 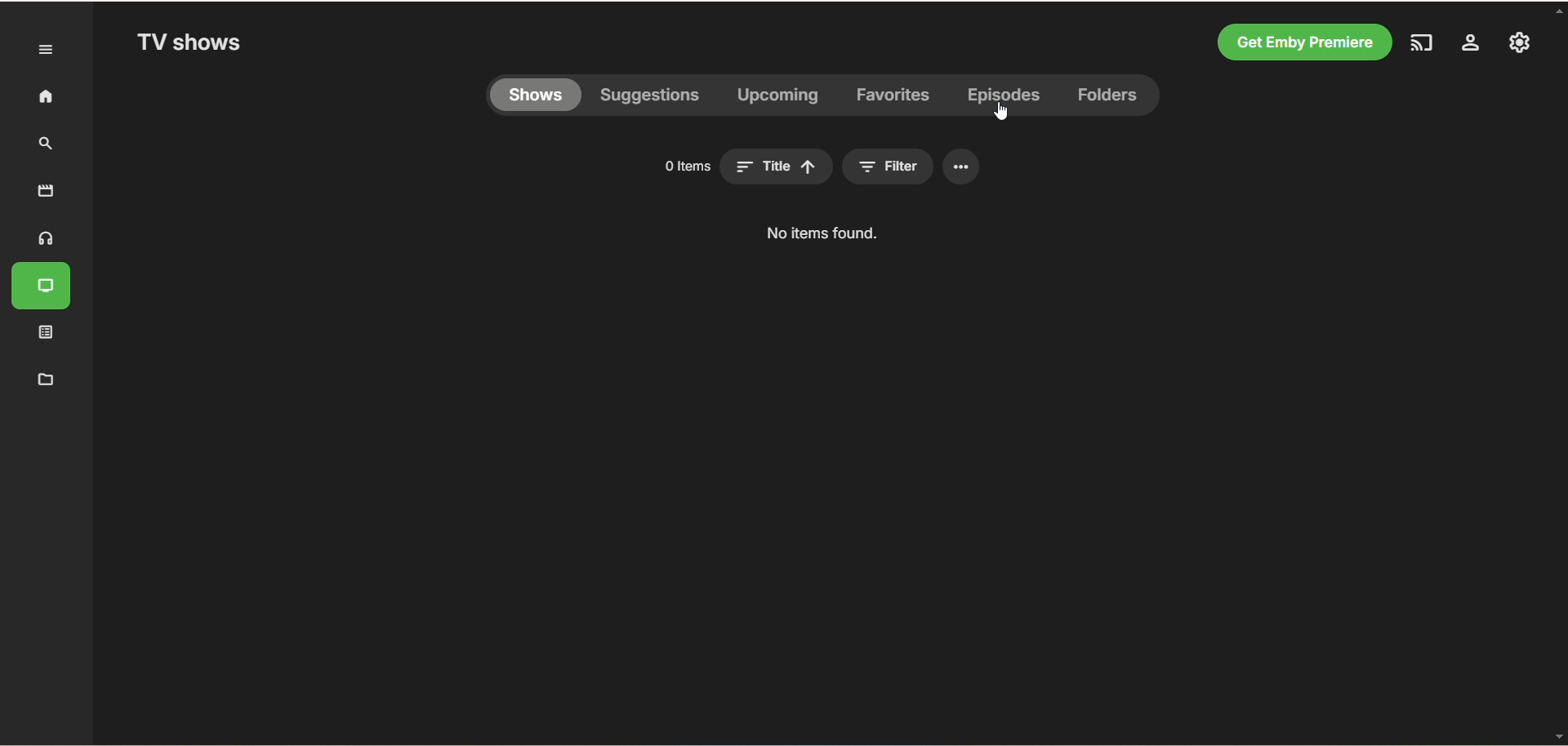 I want to click on manage emby server, so click(x=1518, y=42).